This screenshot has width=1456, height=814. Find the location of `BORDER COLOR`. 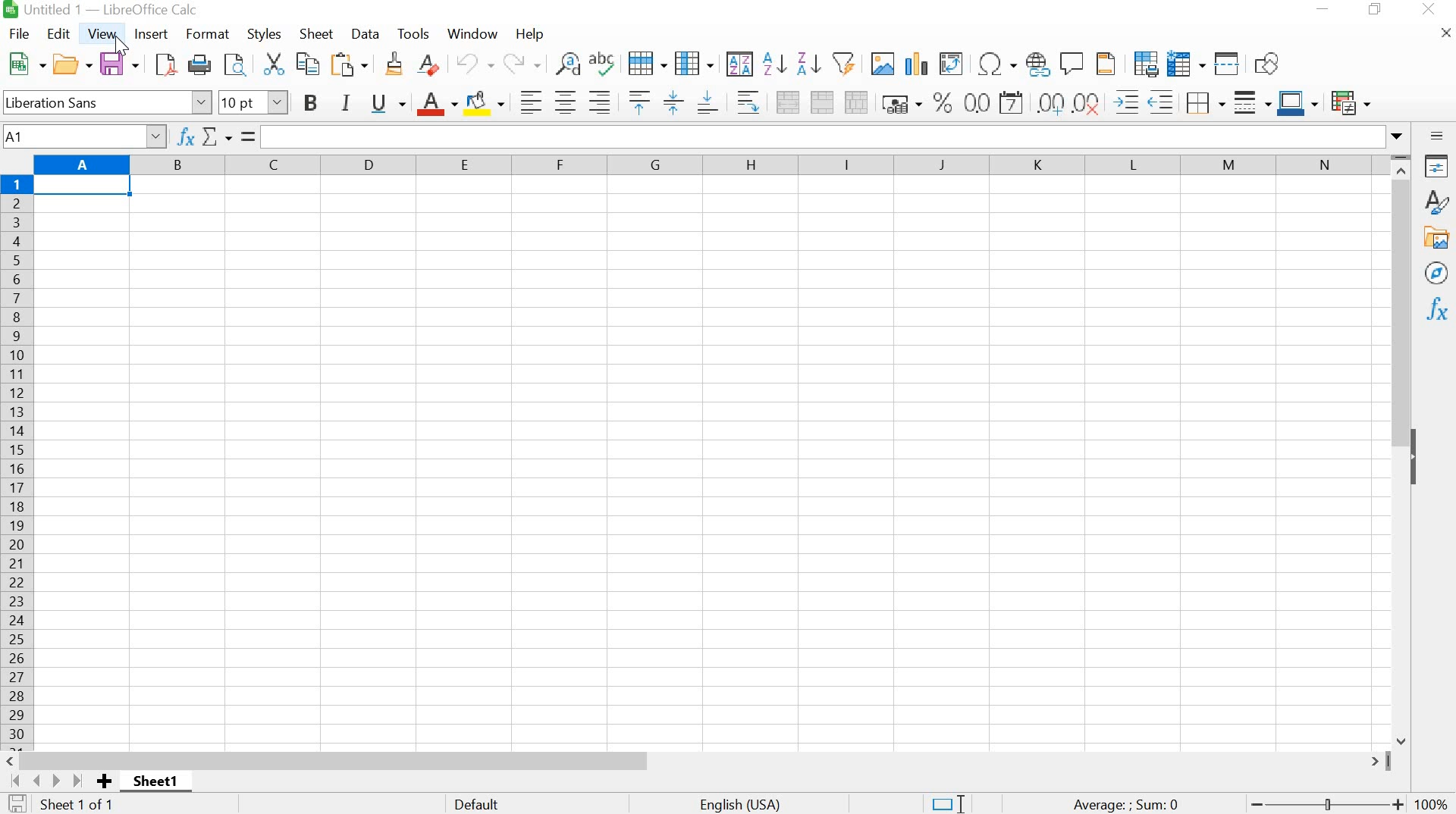

BORDER COLOR is located at coordinates (1297, 101).